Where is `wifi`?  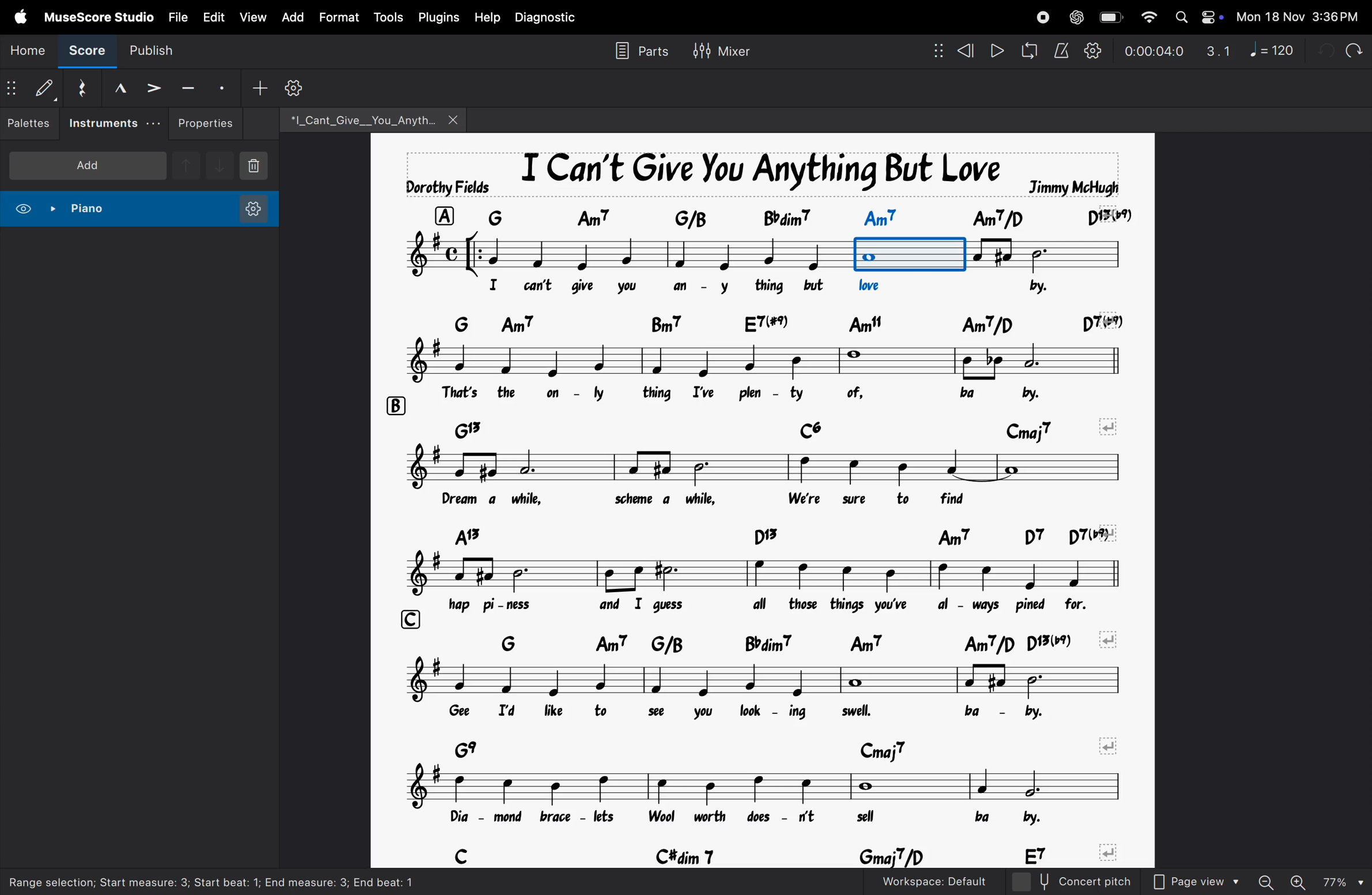 wifi is located at coordinates (1146, 18).